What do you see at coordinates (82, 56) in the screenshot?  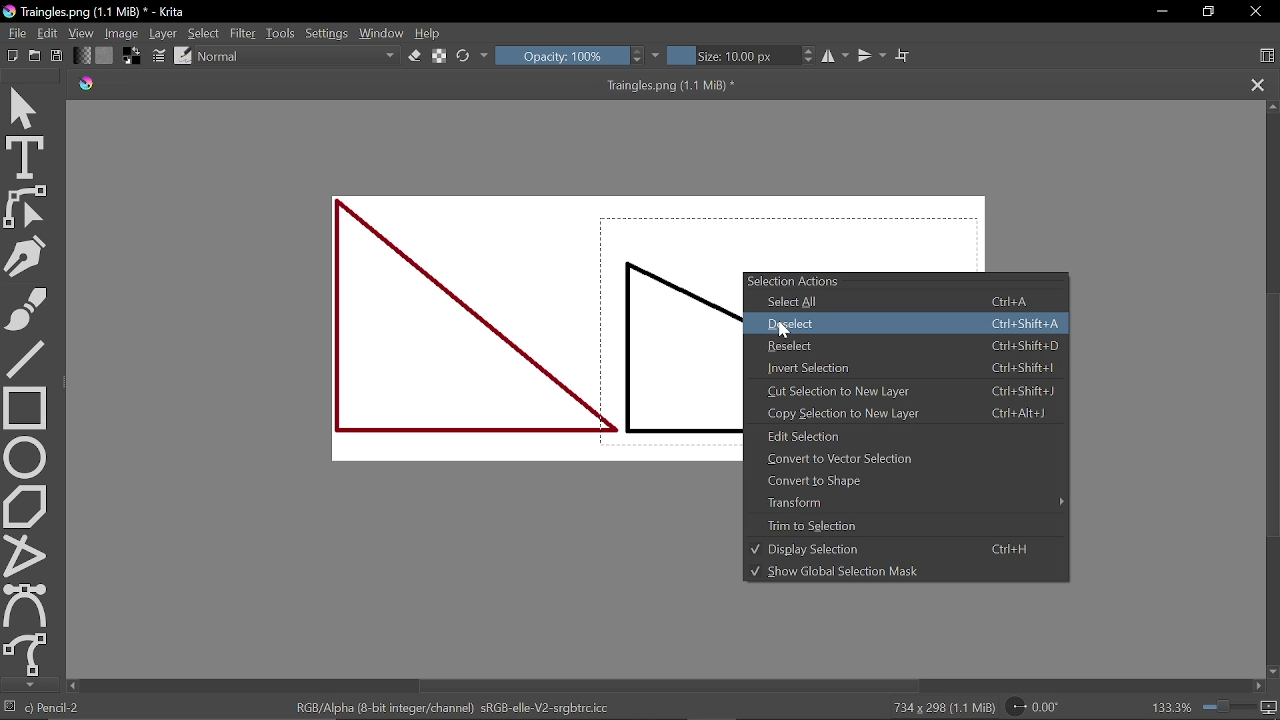 I see `Fill pattern` at bounding box center [82, 56].